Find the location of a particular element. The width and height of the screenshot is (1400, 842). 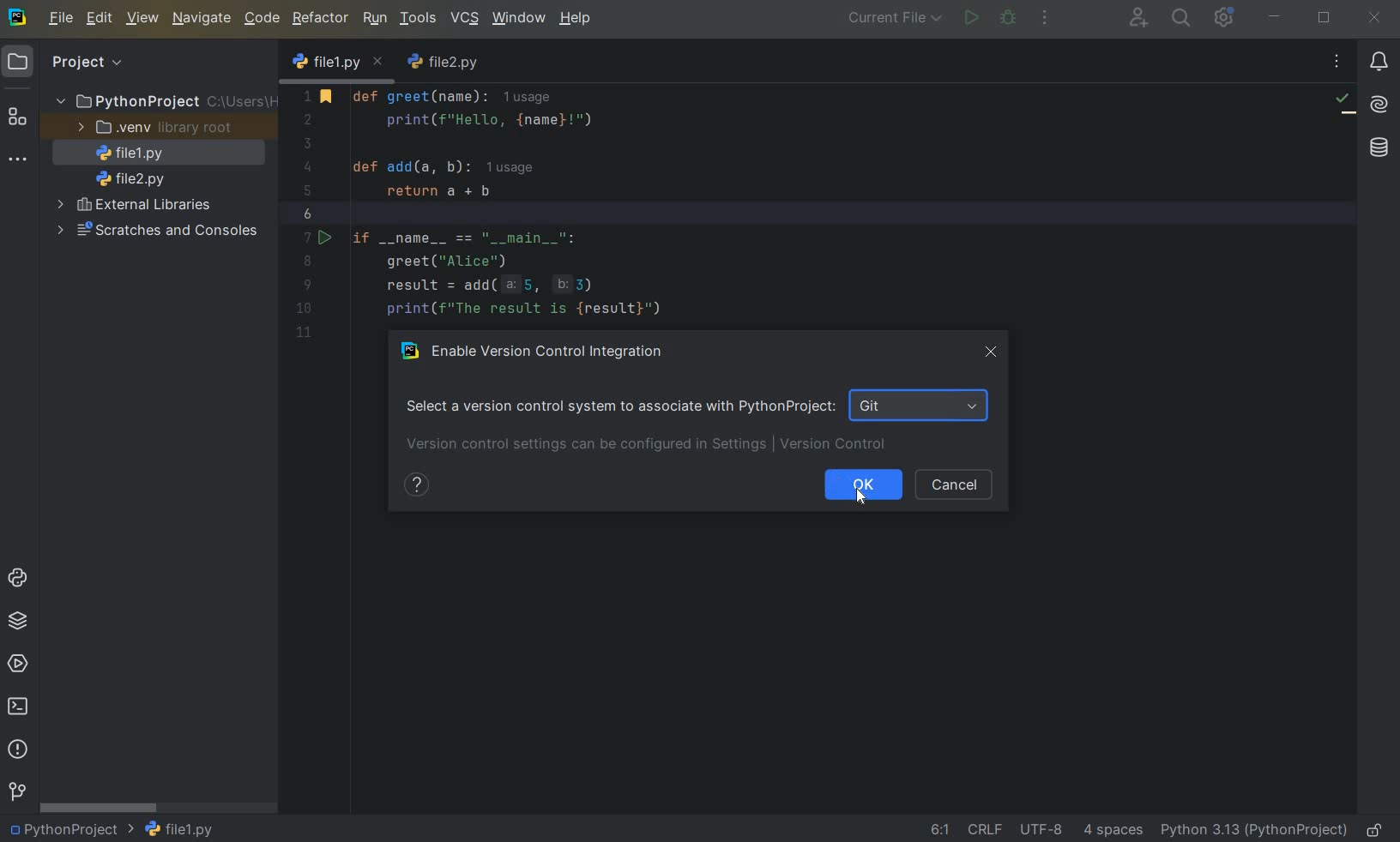

code with me is located at coordinates (1137, 20).